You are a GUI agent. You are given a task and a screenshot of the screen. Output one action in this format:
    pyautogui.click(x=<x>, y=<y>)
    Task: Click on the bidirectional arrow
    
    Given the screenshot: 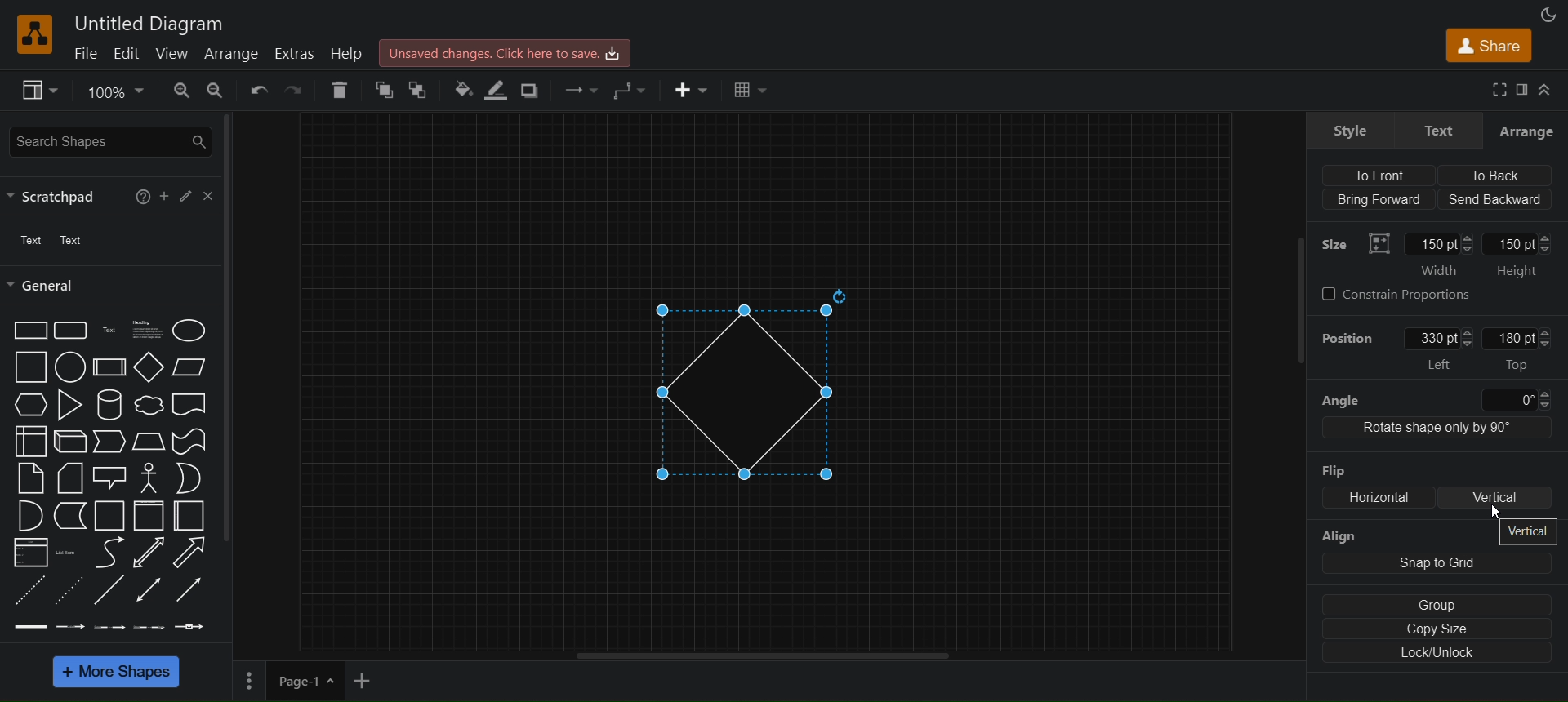 What is the action you would take?
    pyautogui.click(x=149, y=551)
    